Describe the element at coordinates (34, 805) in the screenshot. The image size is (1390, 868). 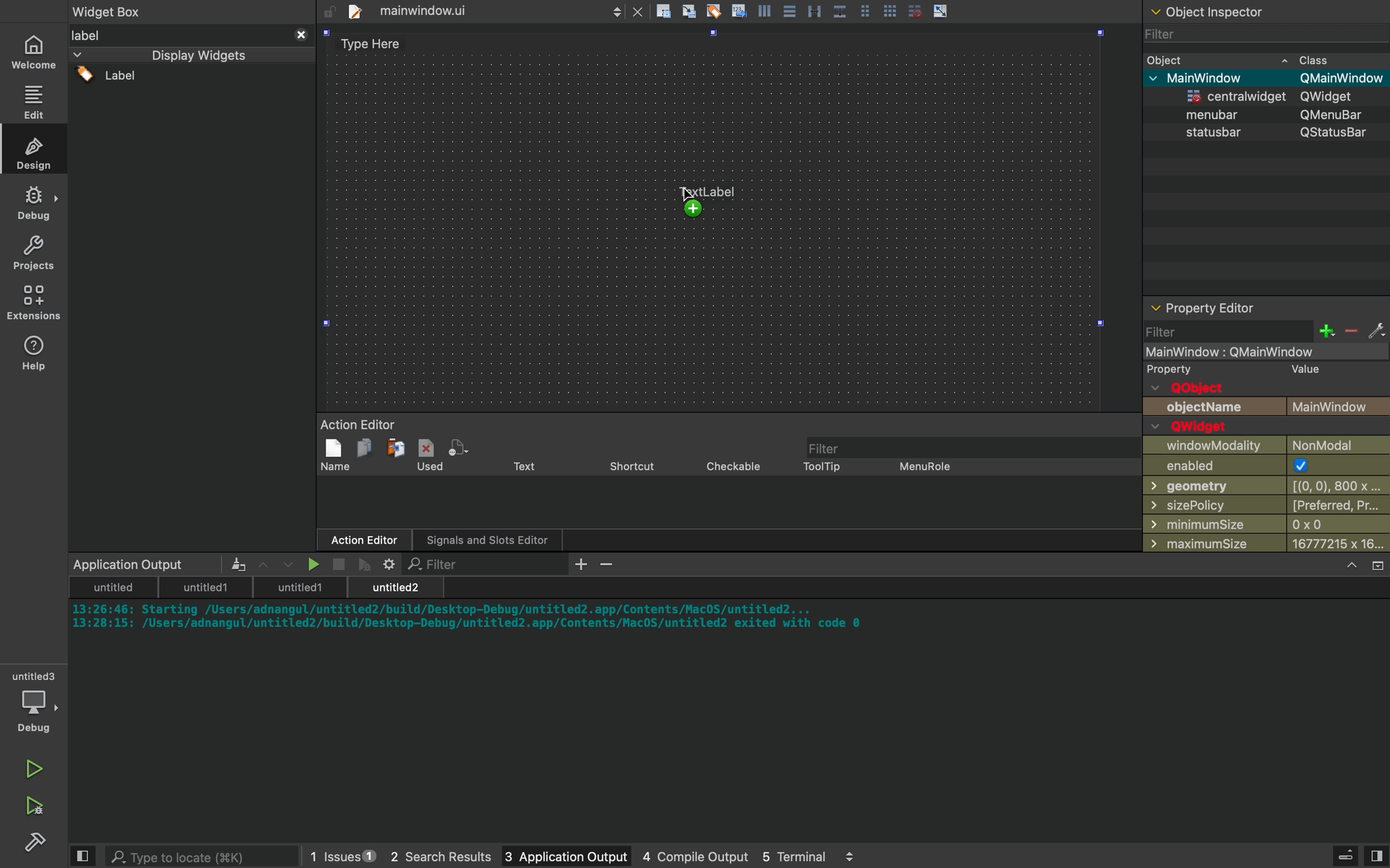
I see `debug and run` at that location.